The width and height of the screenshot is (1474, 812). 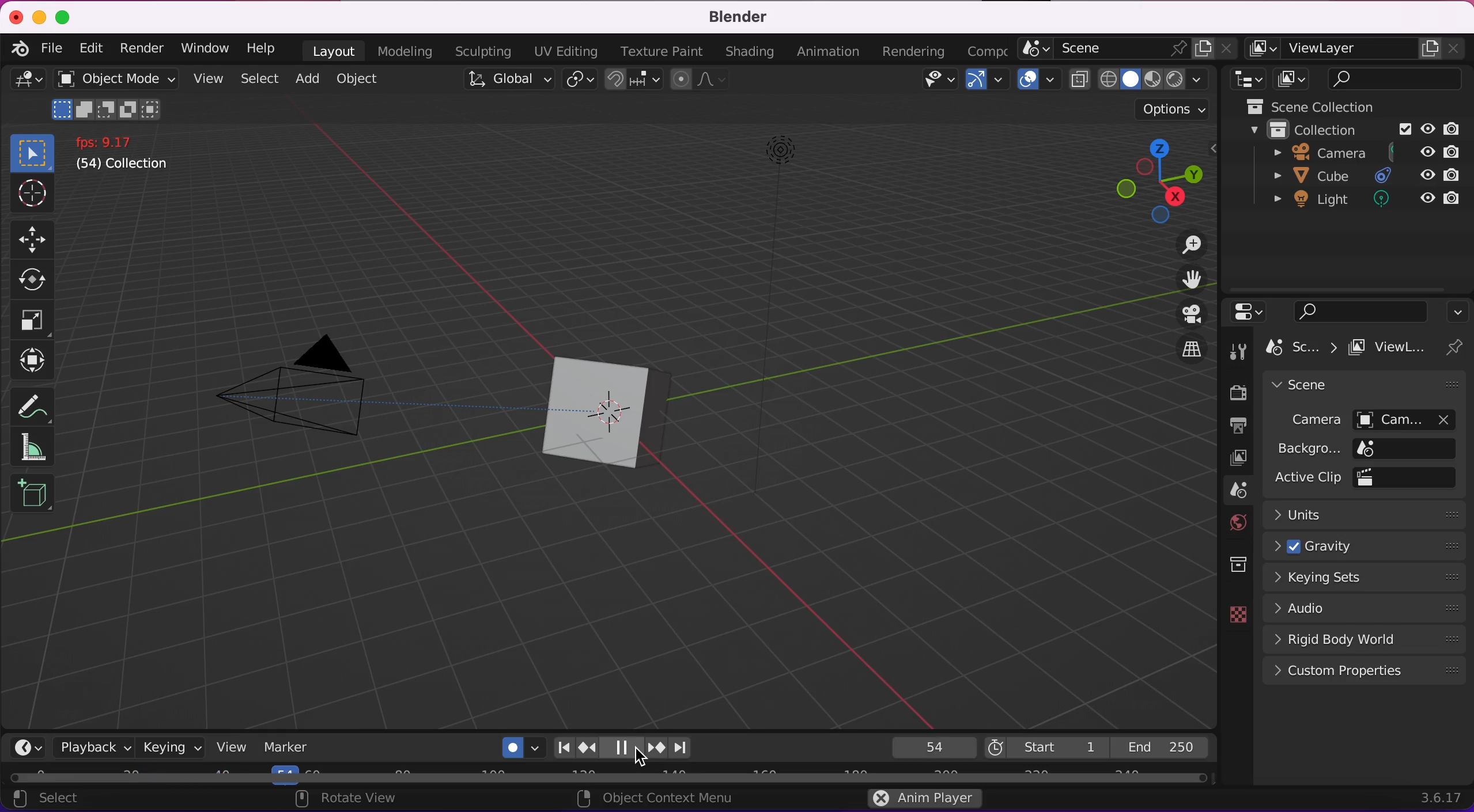 What do you see at coordinates (205, 77) in the screenshot?
I see `view` at bounding box center [205, 77].